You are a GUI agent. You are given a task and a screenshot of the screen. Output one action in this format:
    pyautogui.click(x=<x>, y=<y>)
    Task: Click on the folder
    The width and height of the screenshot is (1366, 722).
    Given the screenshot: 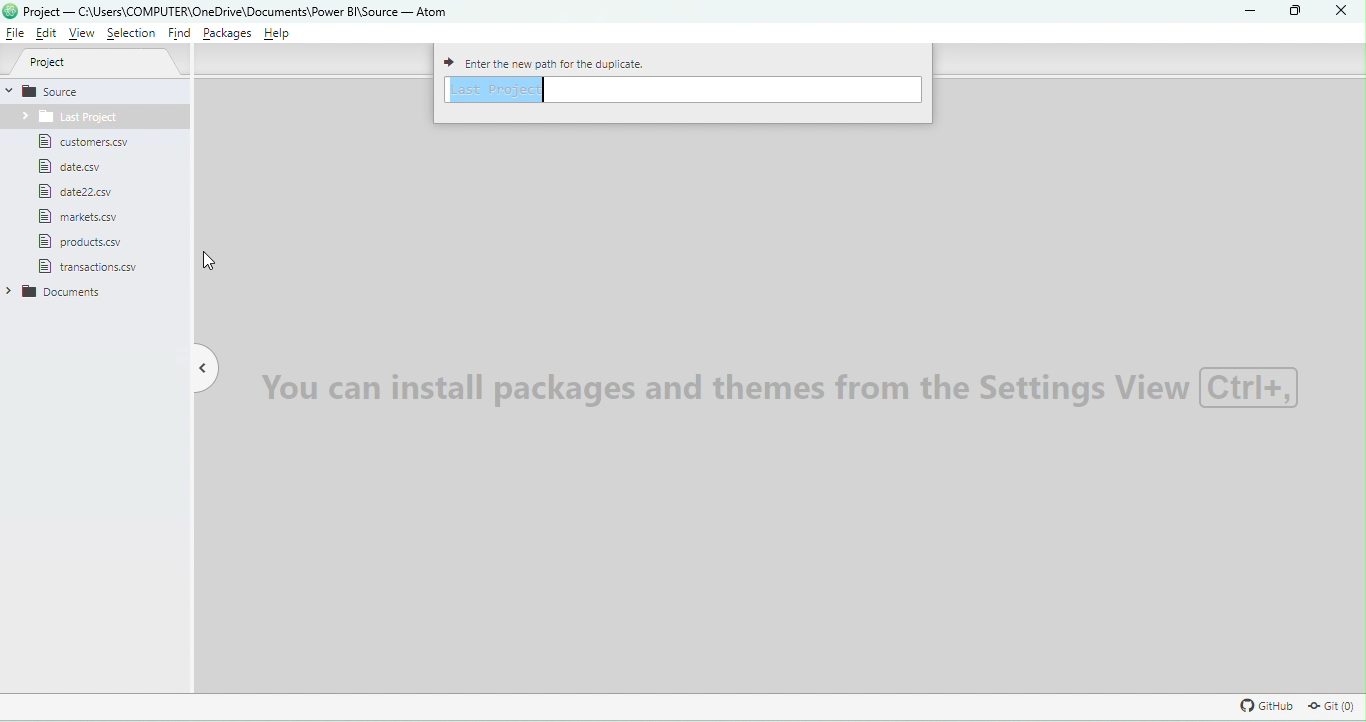 What is the action you would take?
    pyautogui.click(x=66, y=295)
    